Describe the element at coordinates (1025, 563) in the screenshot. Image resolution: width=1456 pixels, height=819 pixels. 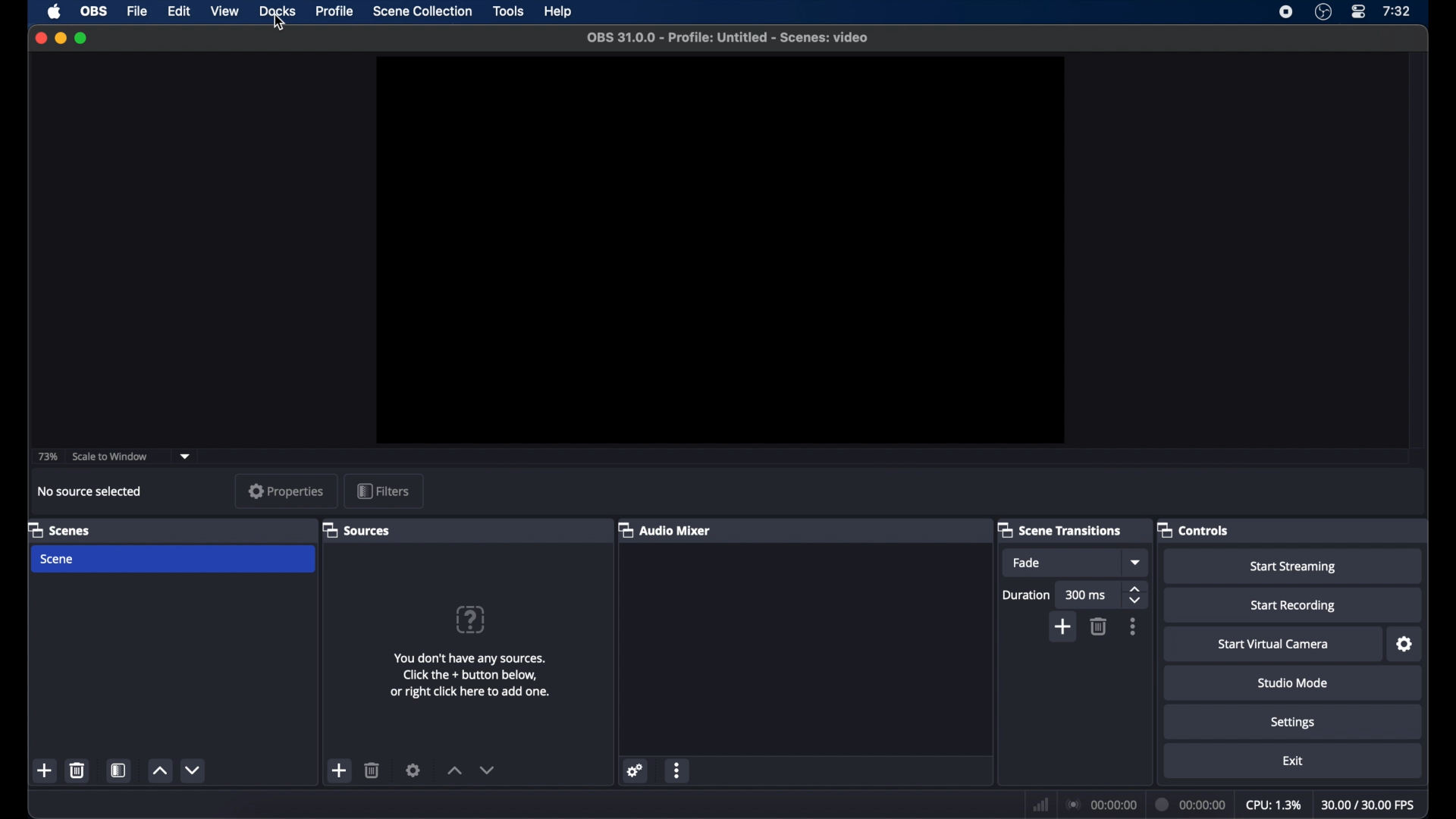
I see `fade` at that location.